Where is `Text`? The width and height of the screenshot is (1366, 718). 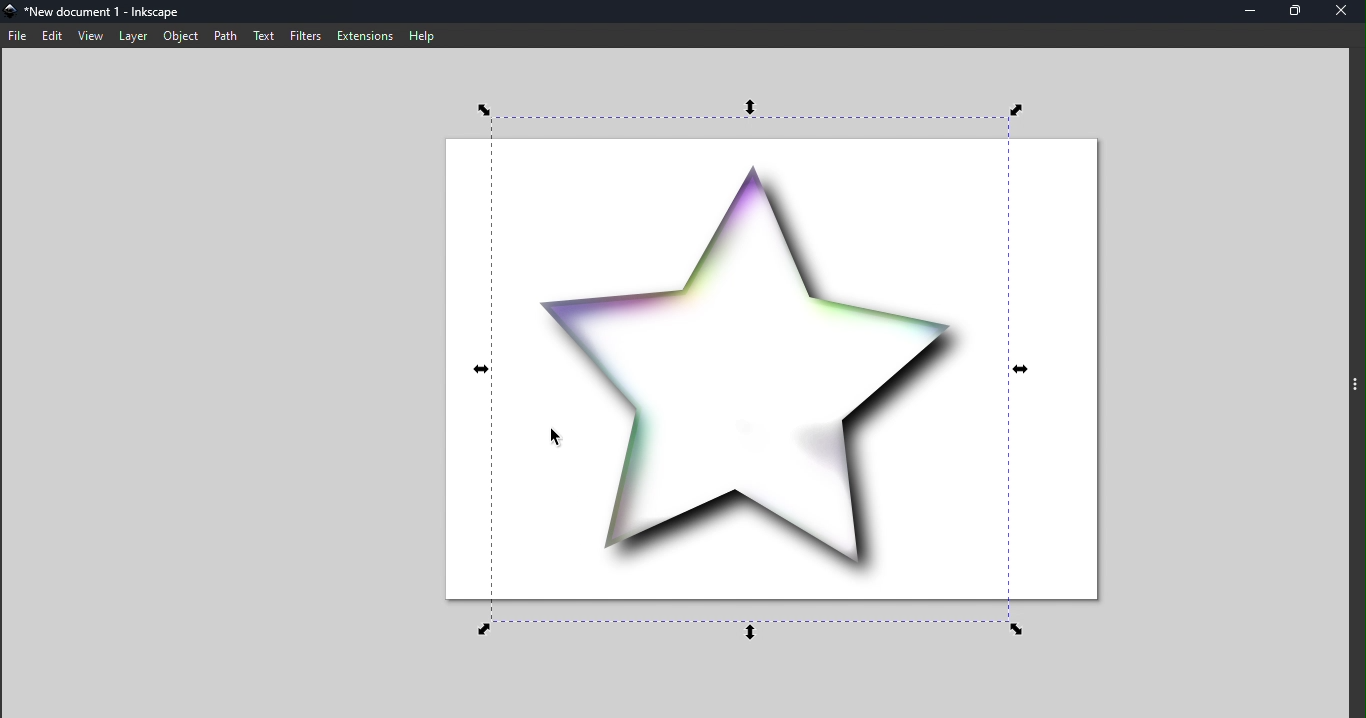 Text is located at coordinates (266, 37).